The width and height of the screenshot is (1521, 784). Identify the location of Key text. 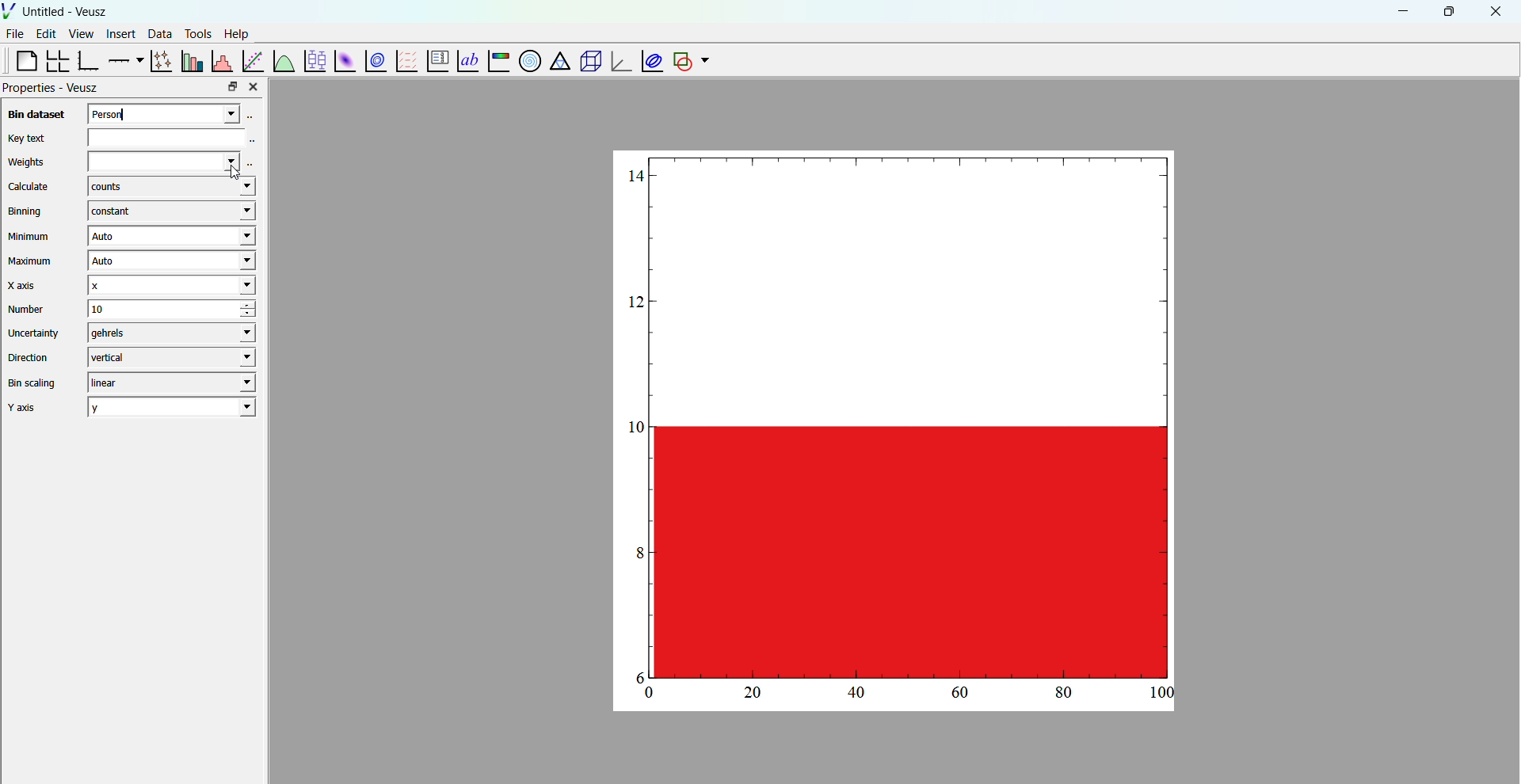
(25, 138).